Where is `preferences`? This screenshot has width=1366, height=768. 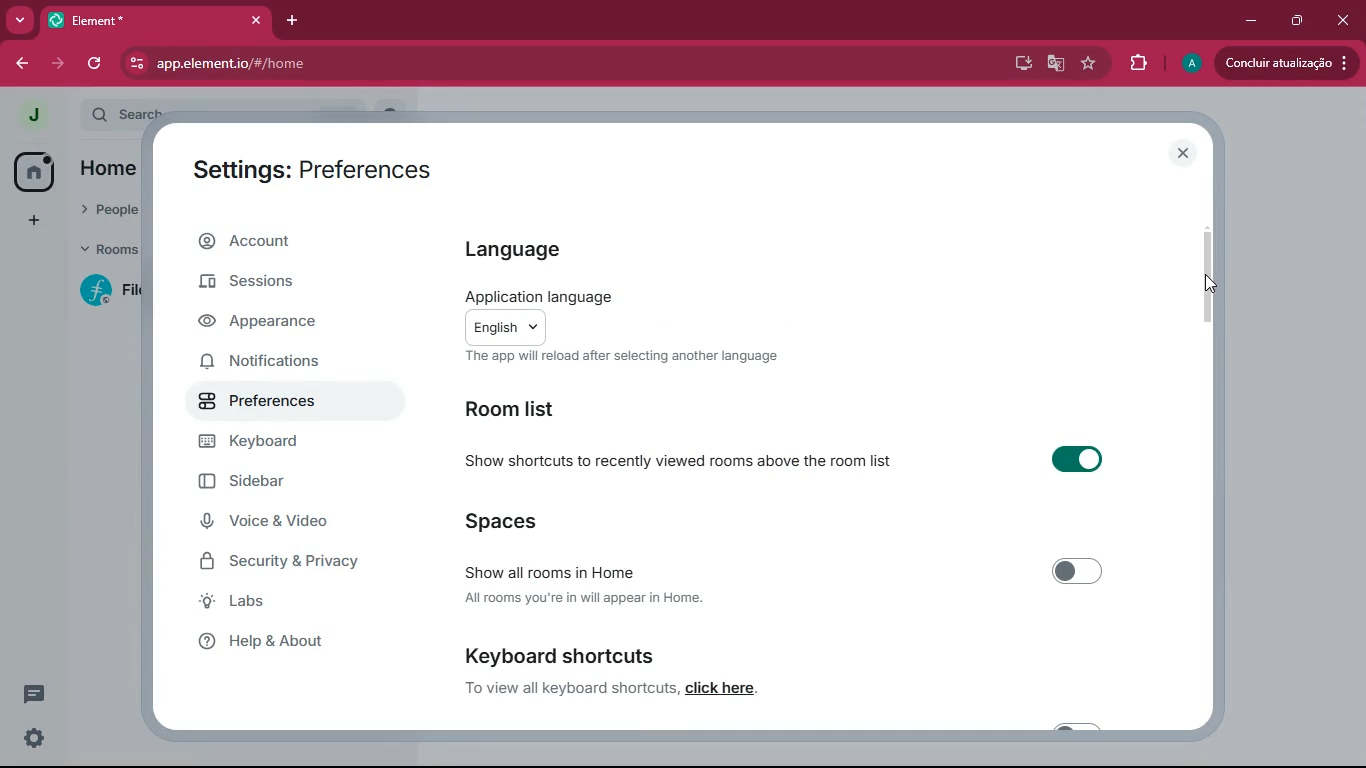 preferences is located at coordinates (266, 399).